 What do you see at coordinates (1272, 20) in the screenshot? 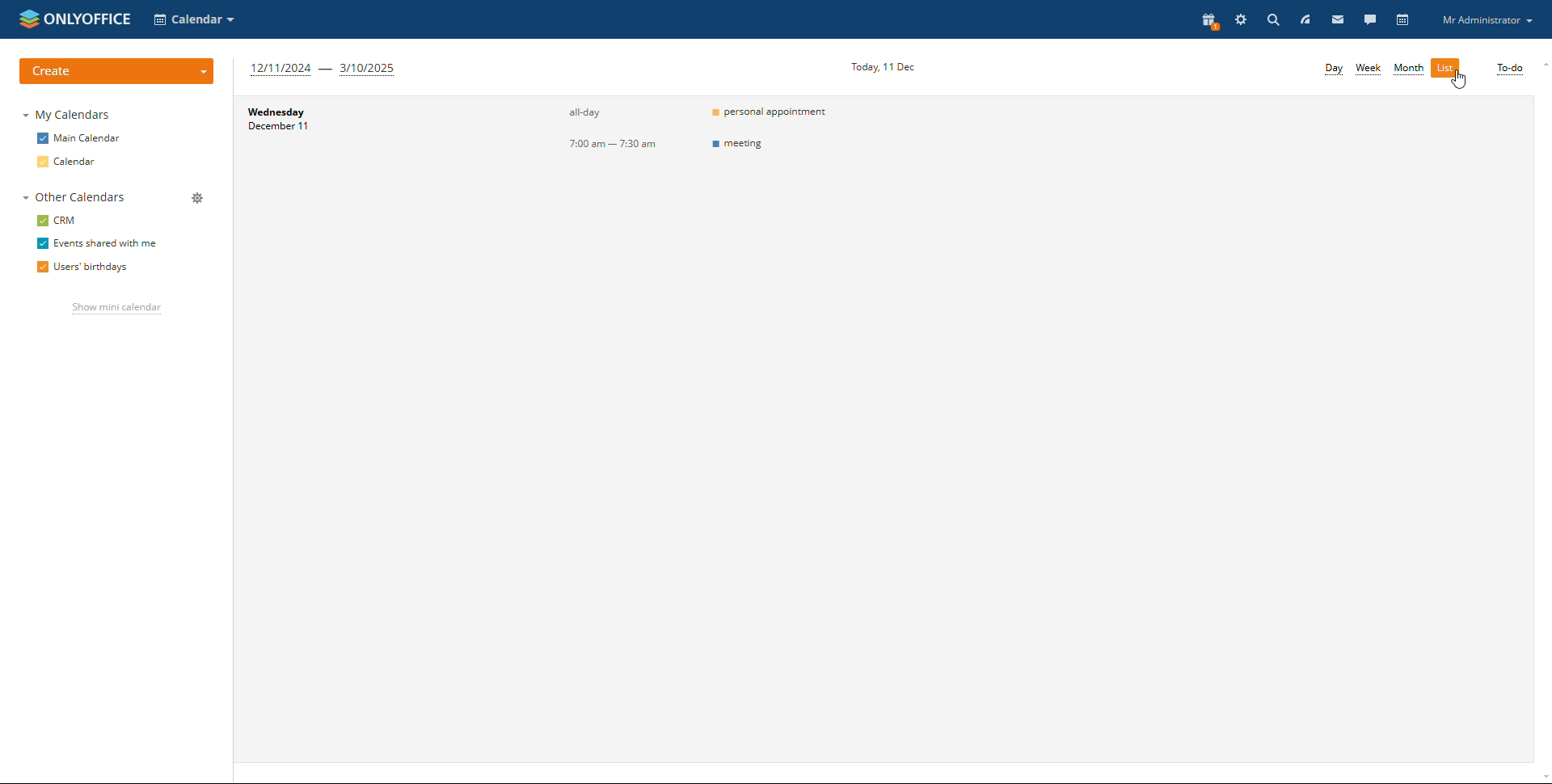
I see `search` at bounding box center [1272, 20].